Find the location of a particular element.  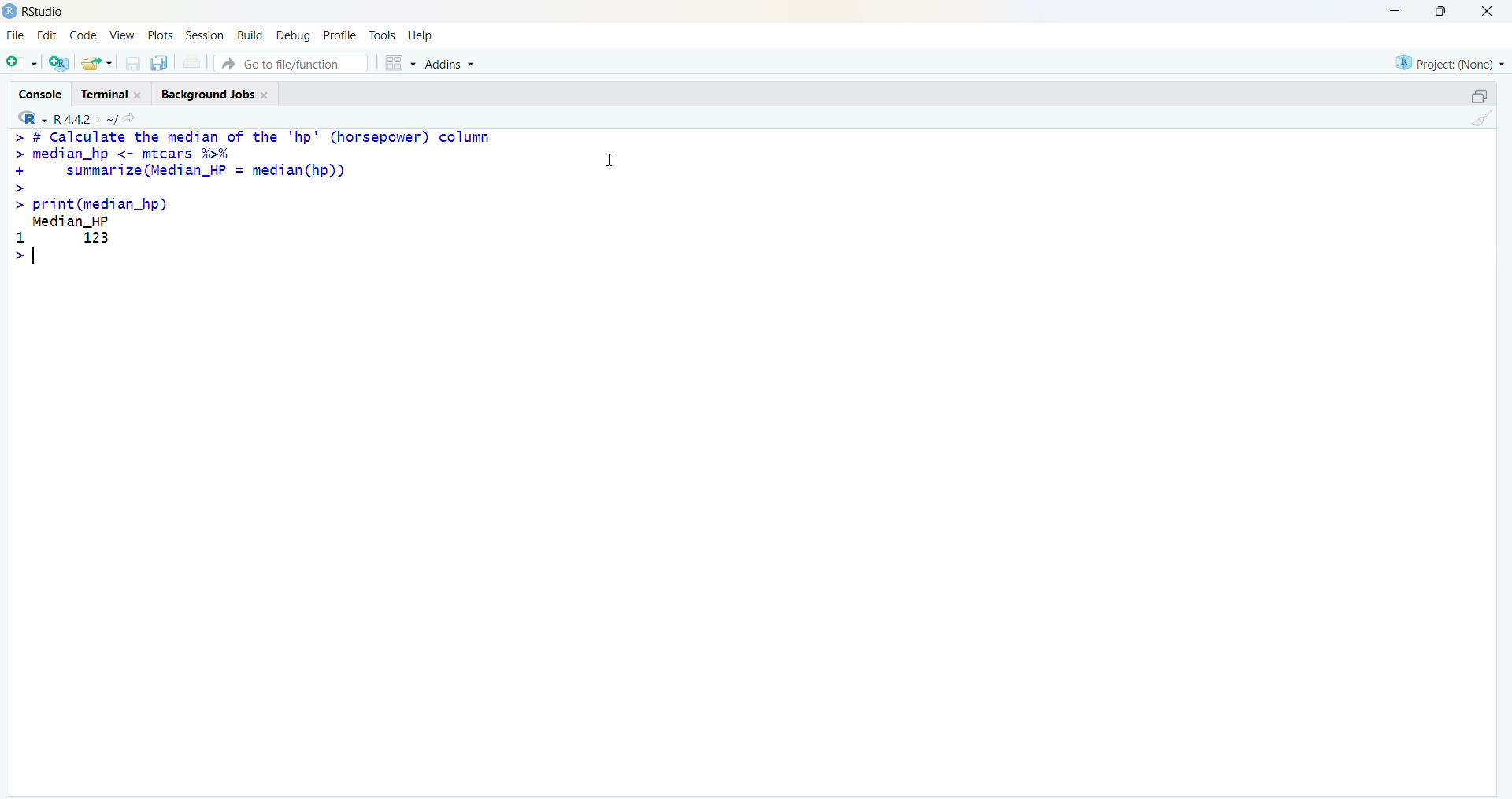

open in separate window  is located at coordinates (1480, 95).